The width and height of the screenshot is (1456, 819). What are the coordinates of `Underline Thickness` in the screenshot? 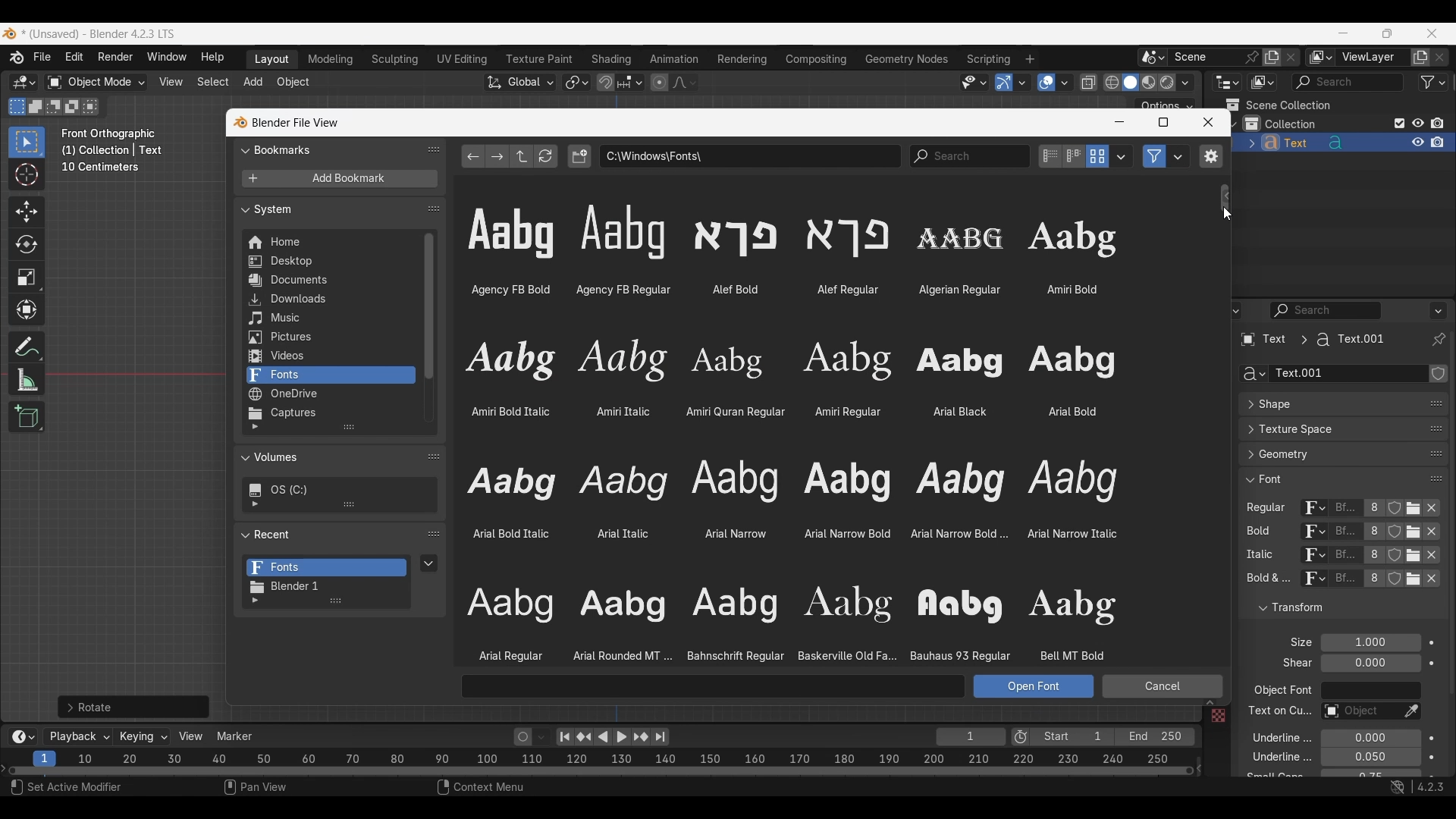 It's located at (1370, 758).